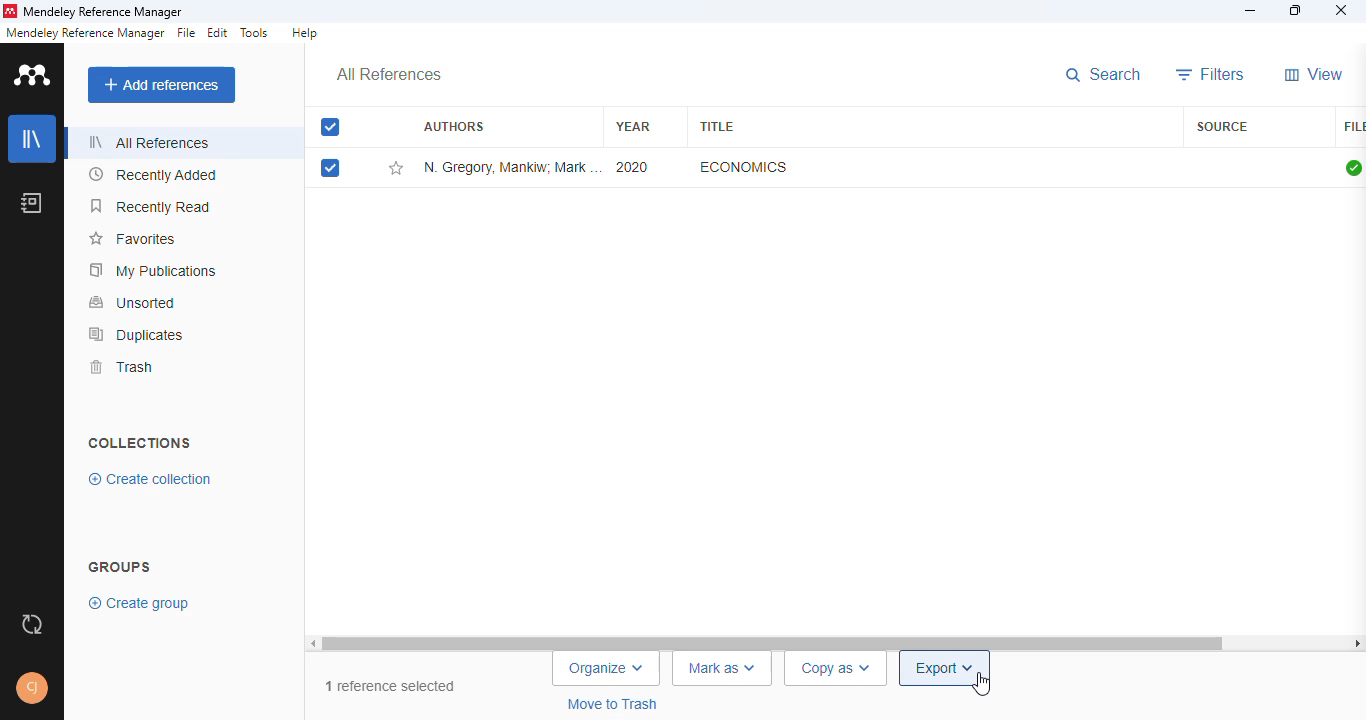 The height and width of the screenshot is (720, 1366). I want to click on create group, so click(140, 604).